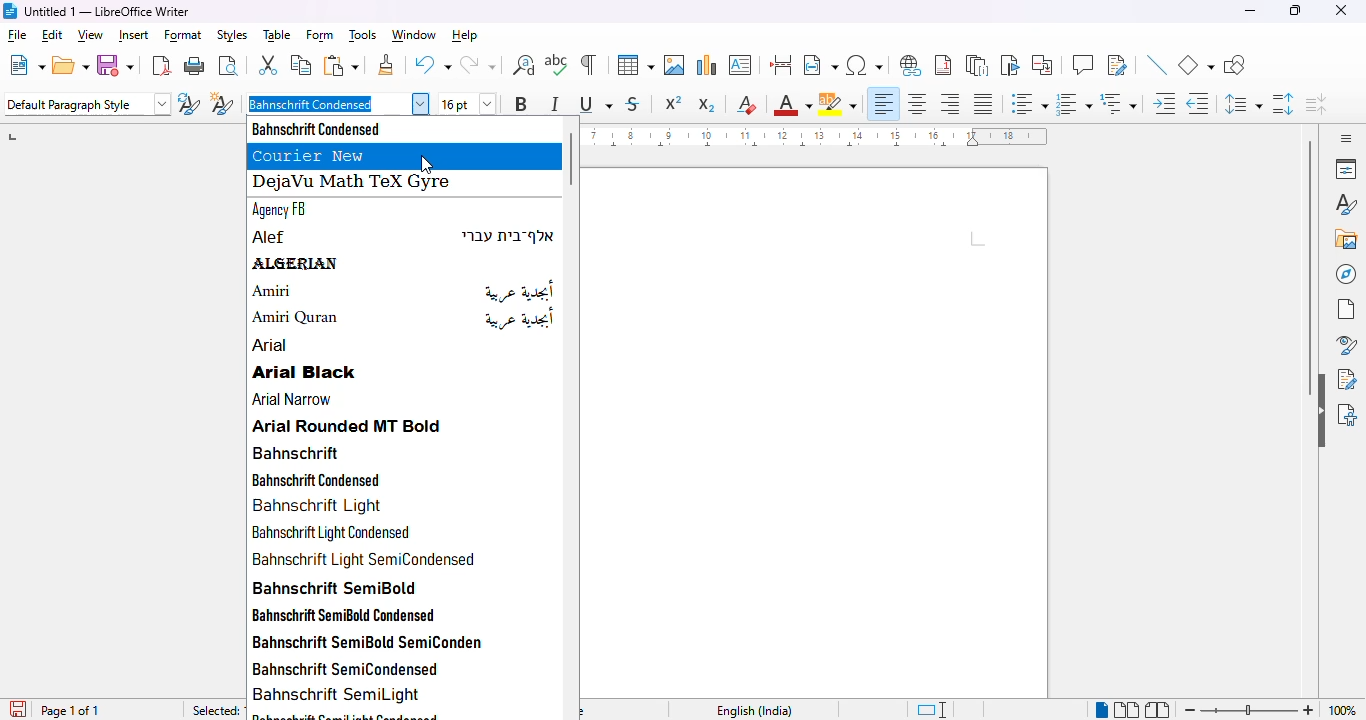 This screenshot has width=1366, height=720. I want to click on file, so click(18, 37).